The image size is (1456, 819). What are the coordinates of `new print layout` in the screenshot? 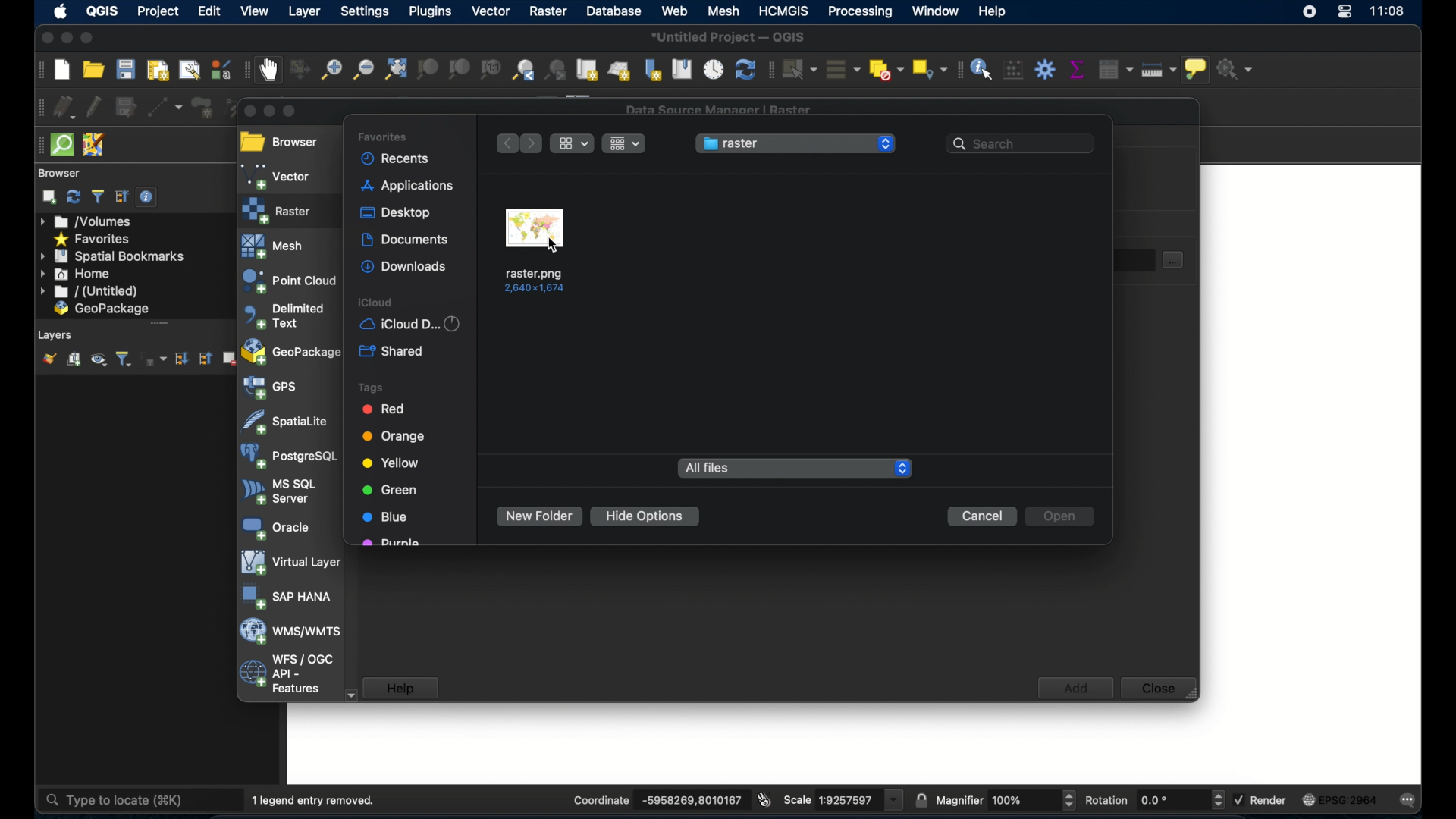 It's located at (158, 70).